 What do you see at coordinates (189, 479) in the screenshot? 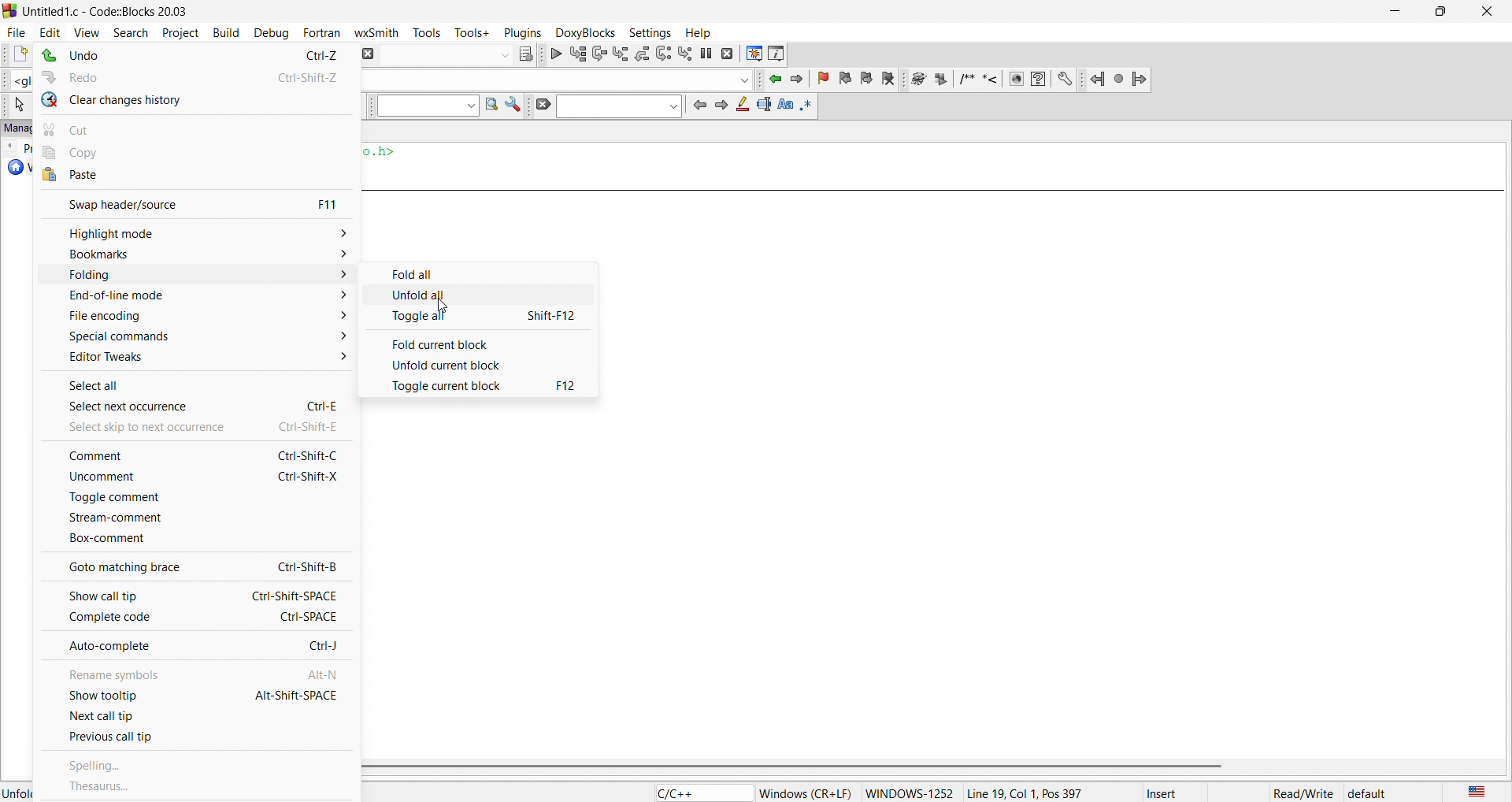
I see `uncomment` at bounding box center [189, 479].